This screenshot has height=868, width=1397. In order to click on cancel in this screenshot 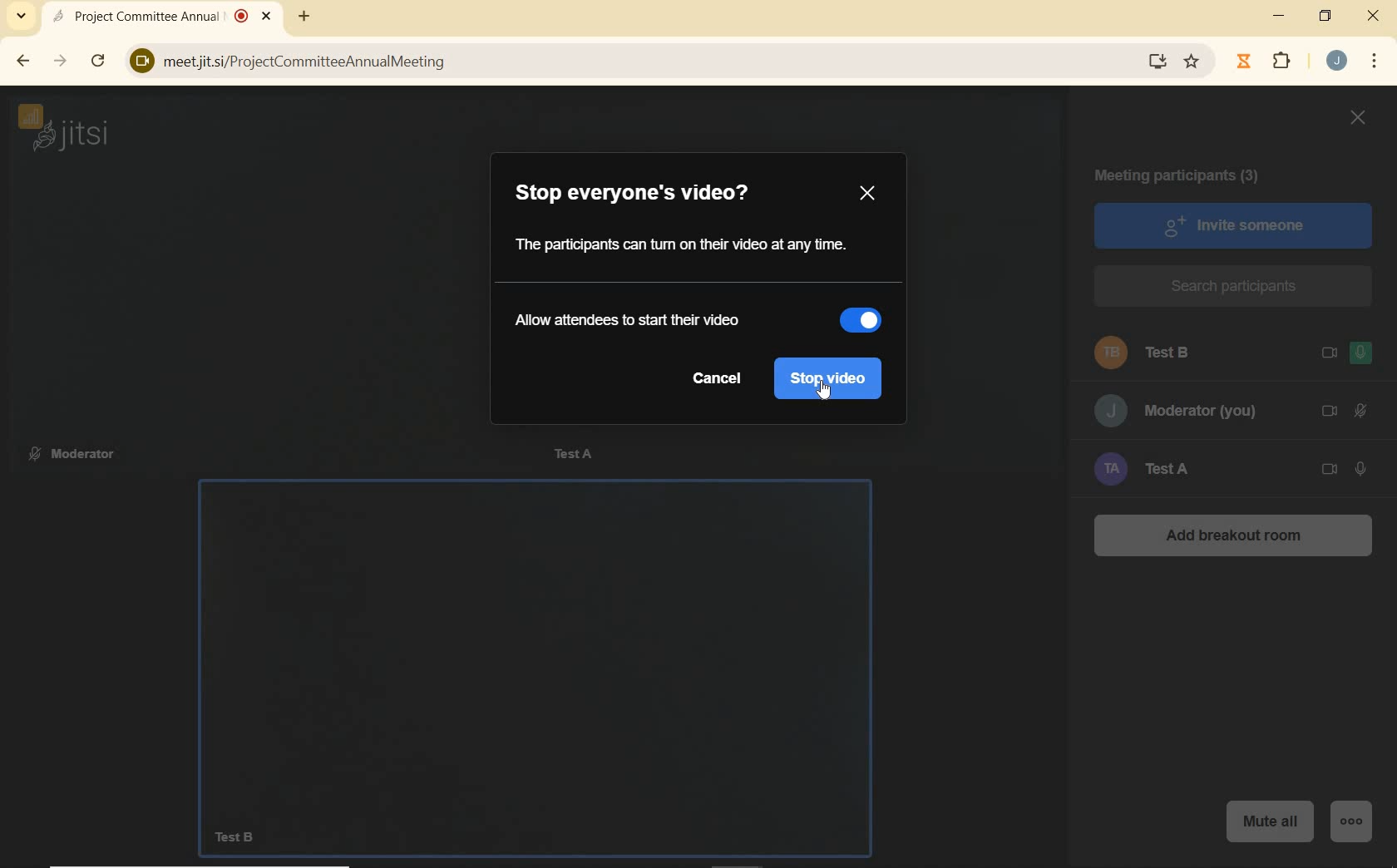, I will do `click(715, 380)`.